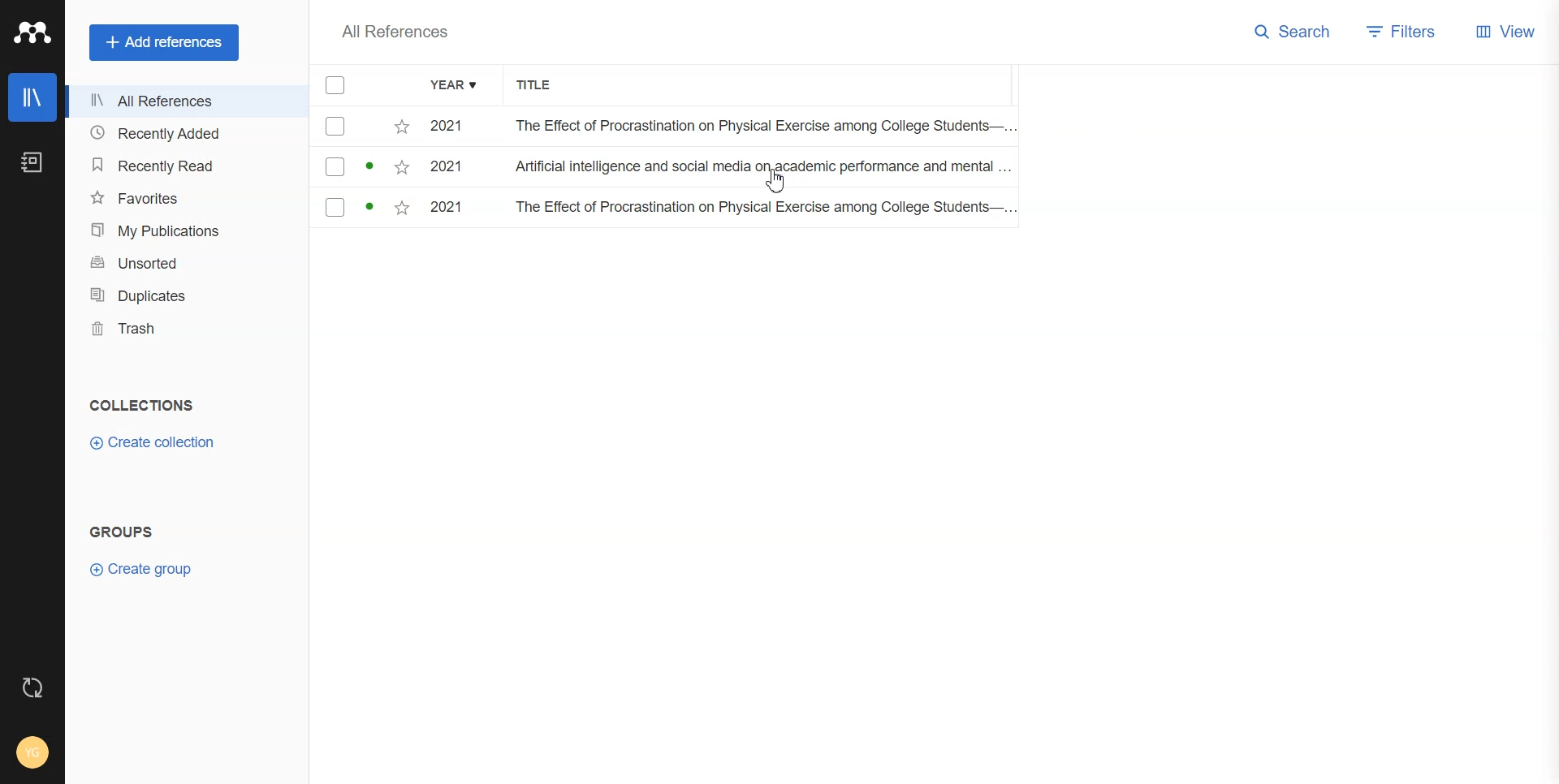 This screenshot has height=784, width=1559. I want to click on My Publication, so click(185, 230).